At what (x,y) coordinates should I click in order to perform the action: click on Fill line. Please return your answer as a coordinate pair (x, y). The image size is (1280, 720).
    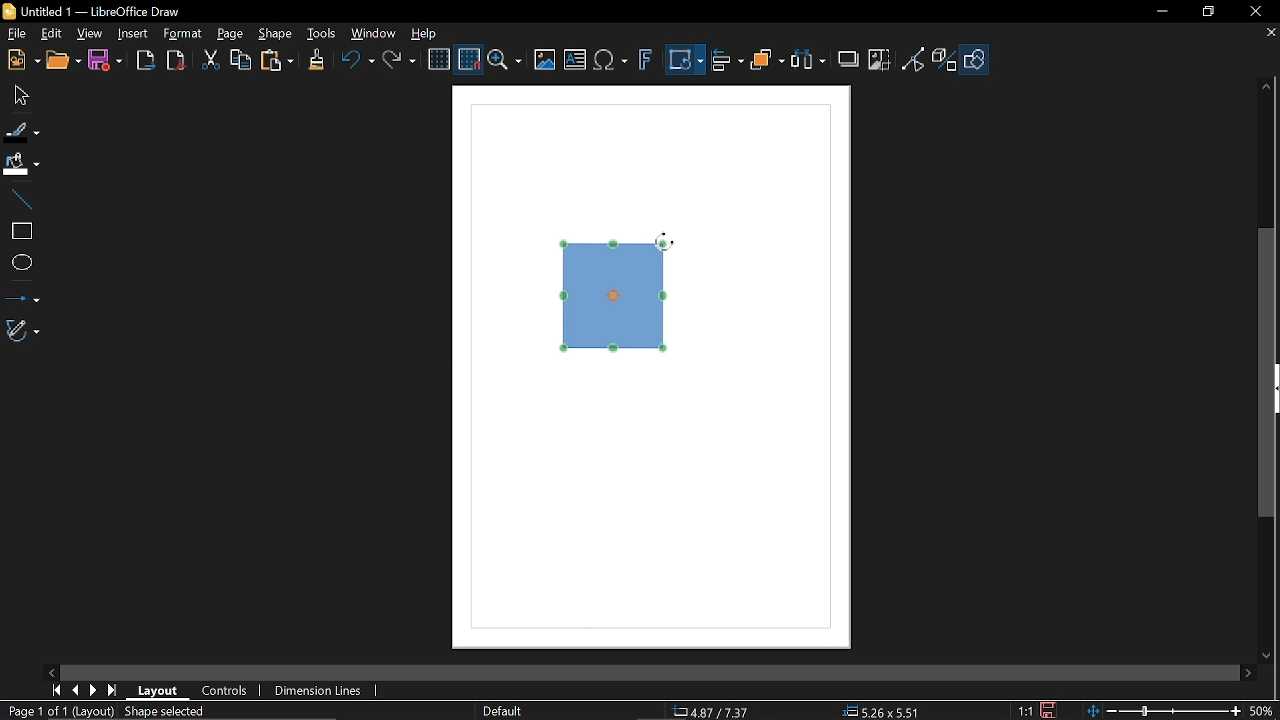
    Looking at the image, I should click on (22, 129).